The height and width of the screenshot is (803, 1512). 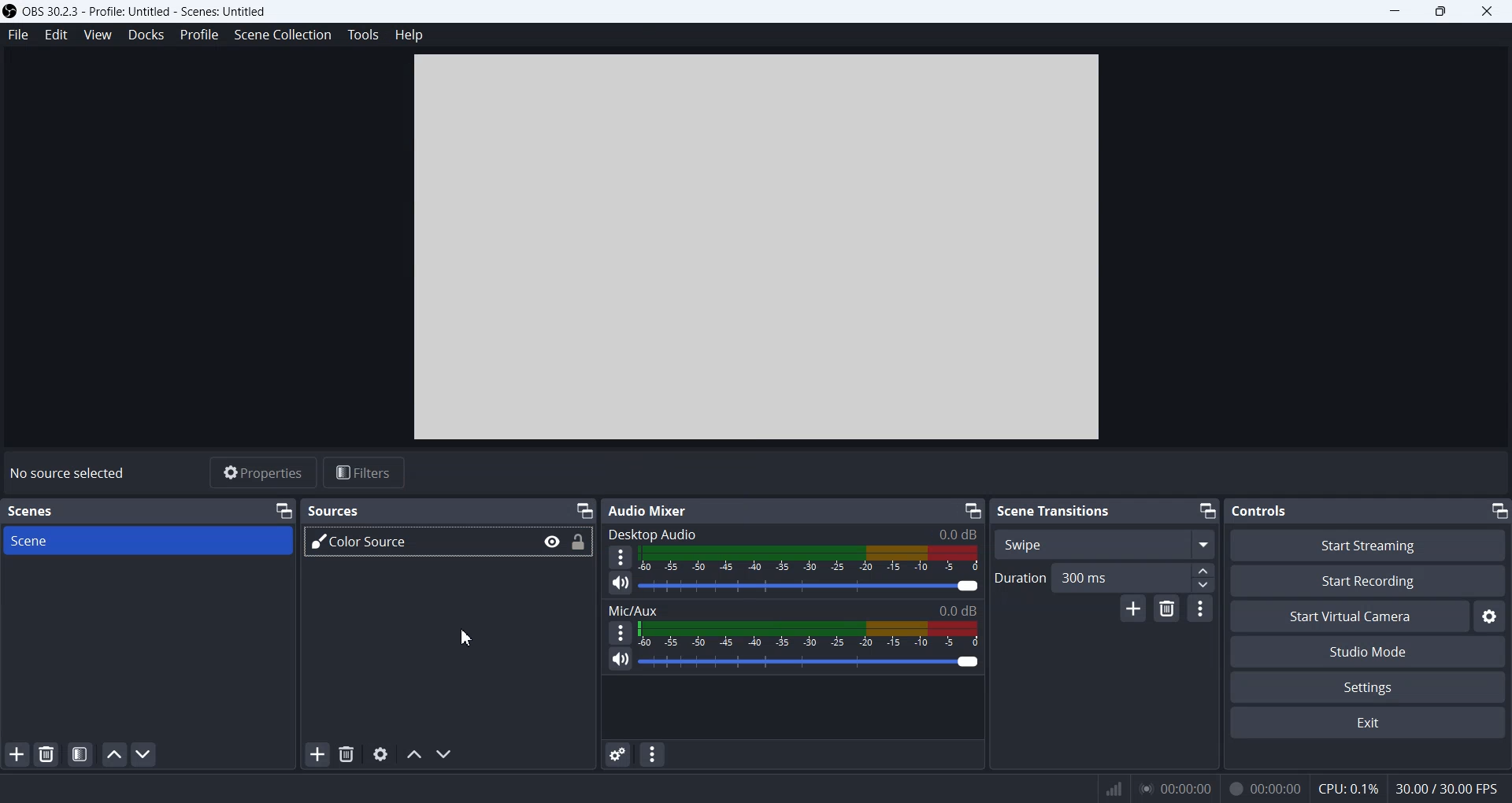 What do you see at coordinates (262, 473) in the screenshot?
I see `Properties` at bounding box center [262, 473].